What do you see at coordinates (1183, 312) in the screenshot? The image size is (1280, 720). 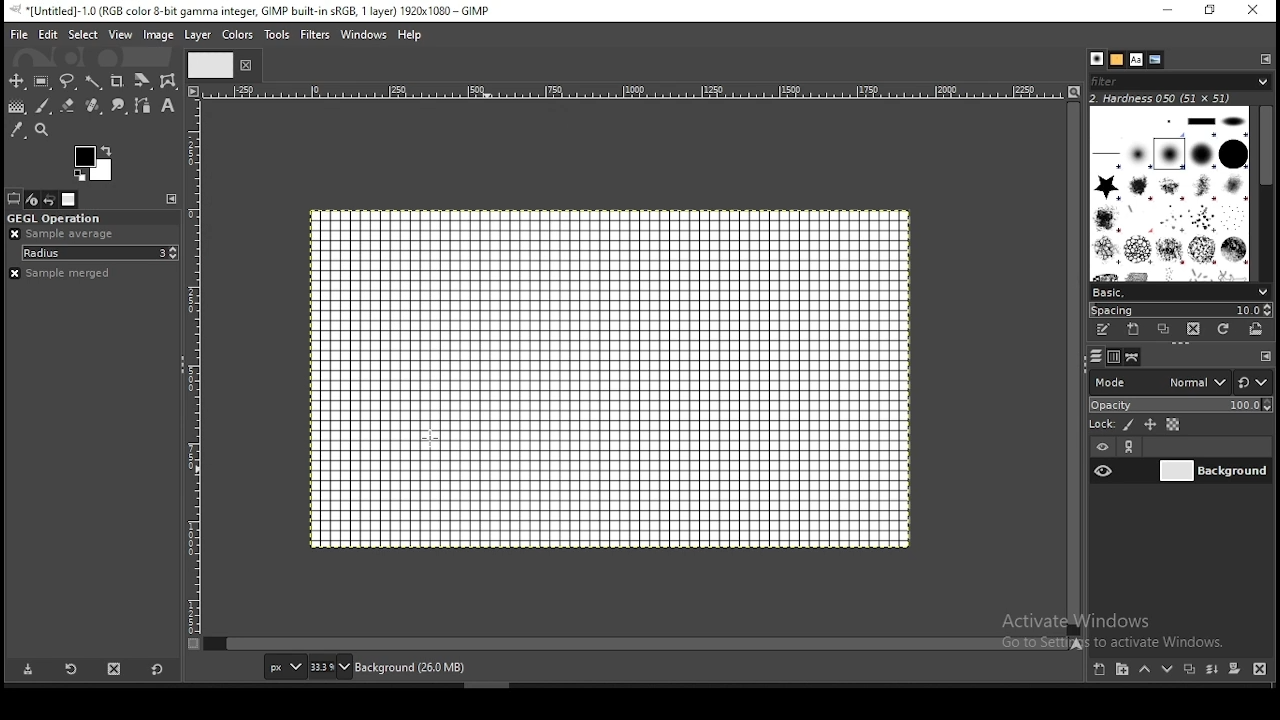 I see `spacing` at bounding box center [1183, 312].